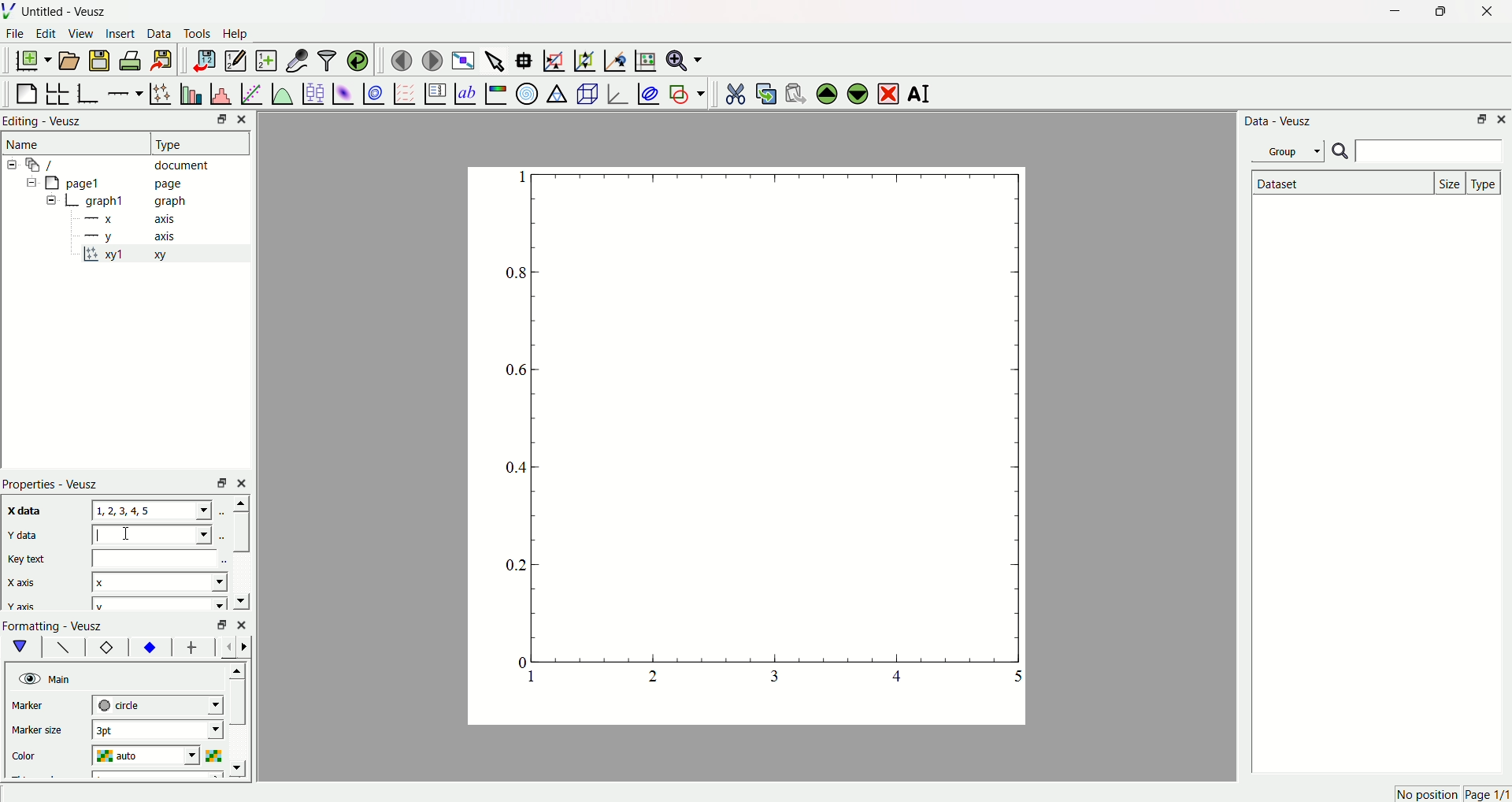 The width and height of the screenshot is (1512, 802). Describe the element at coordinates (464, 58) in the screenshot. I see `view plot full screen` at that location.